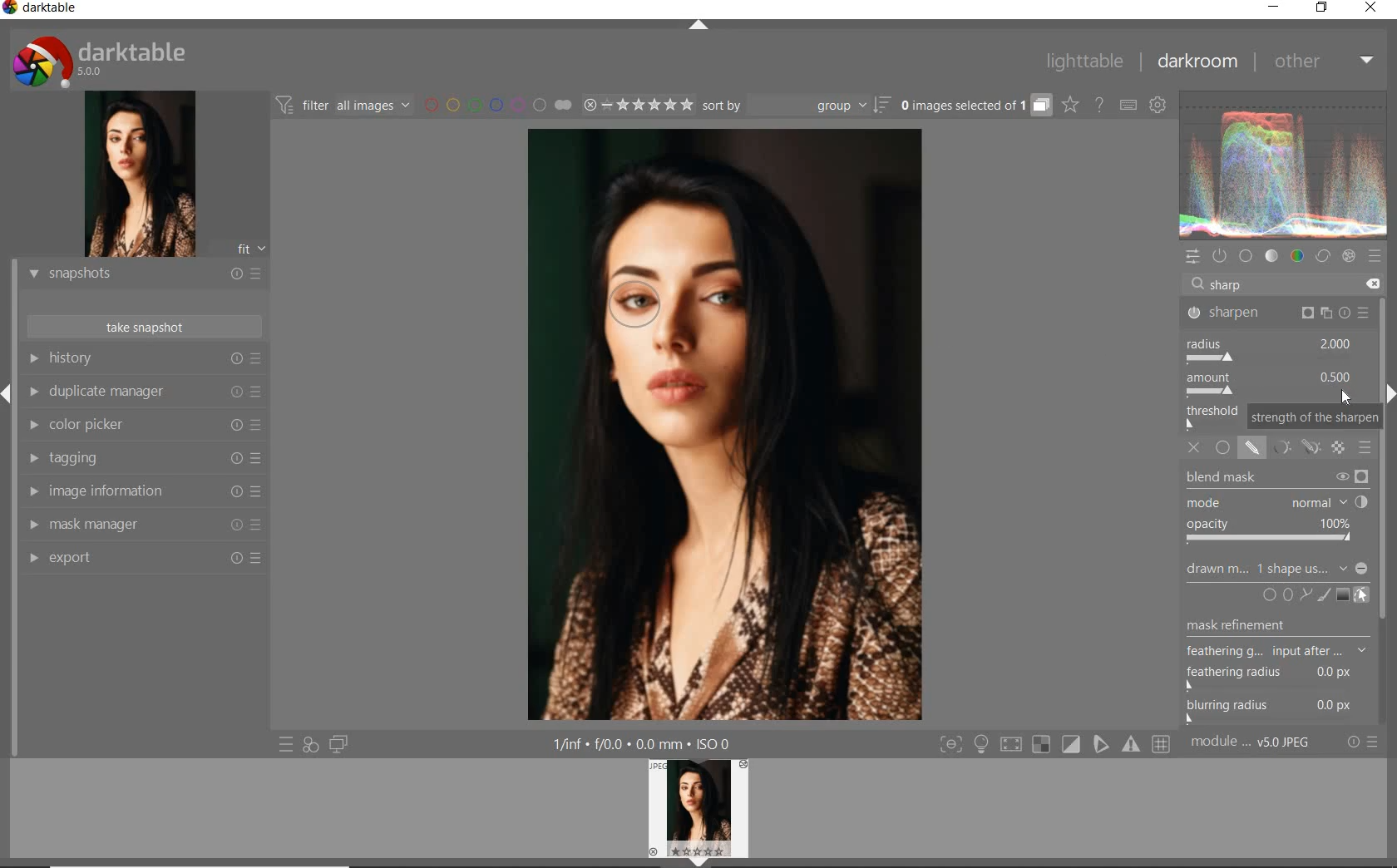  What do you see at coordinates (1222, 448) in the screenshot?
I see `uniformly` at bounding box center [1222, 448].